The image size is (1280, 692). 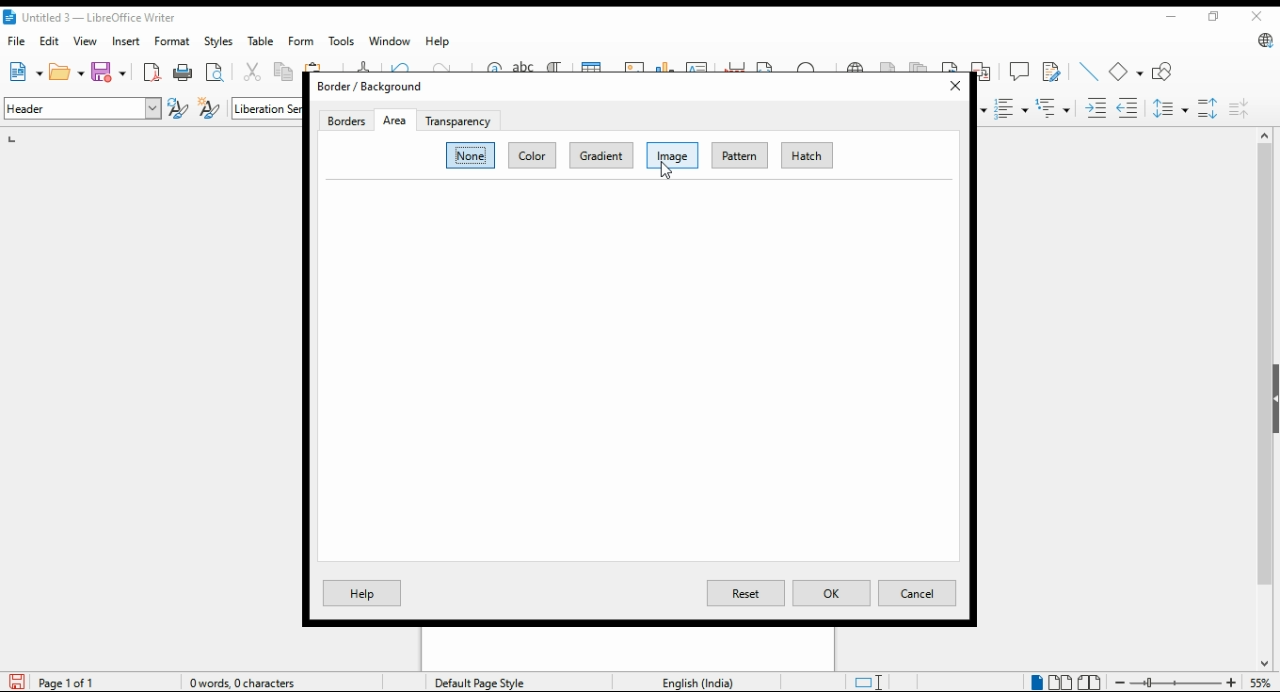 I want to click on area, so click(x=395, y=121).